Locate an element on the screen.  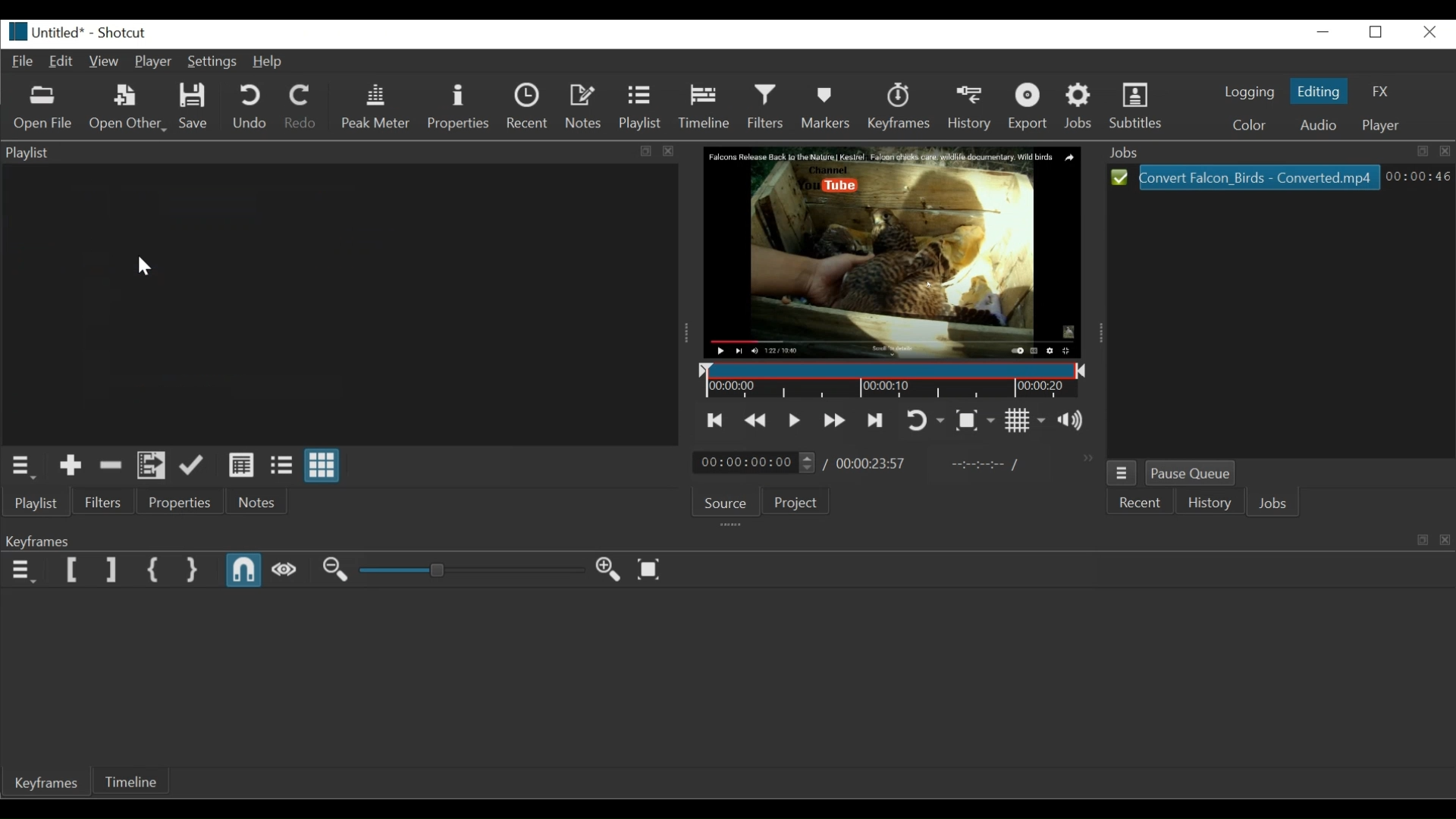
Settings is located at coordinates (212, 63).